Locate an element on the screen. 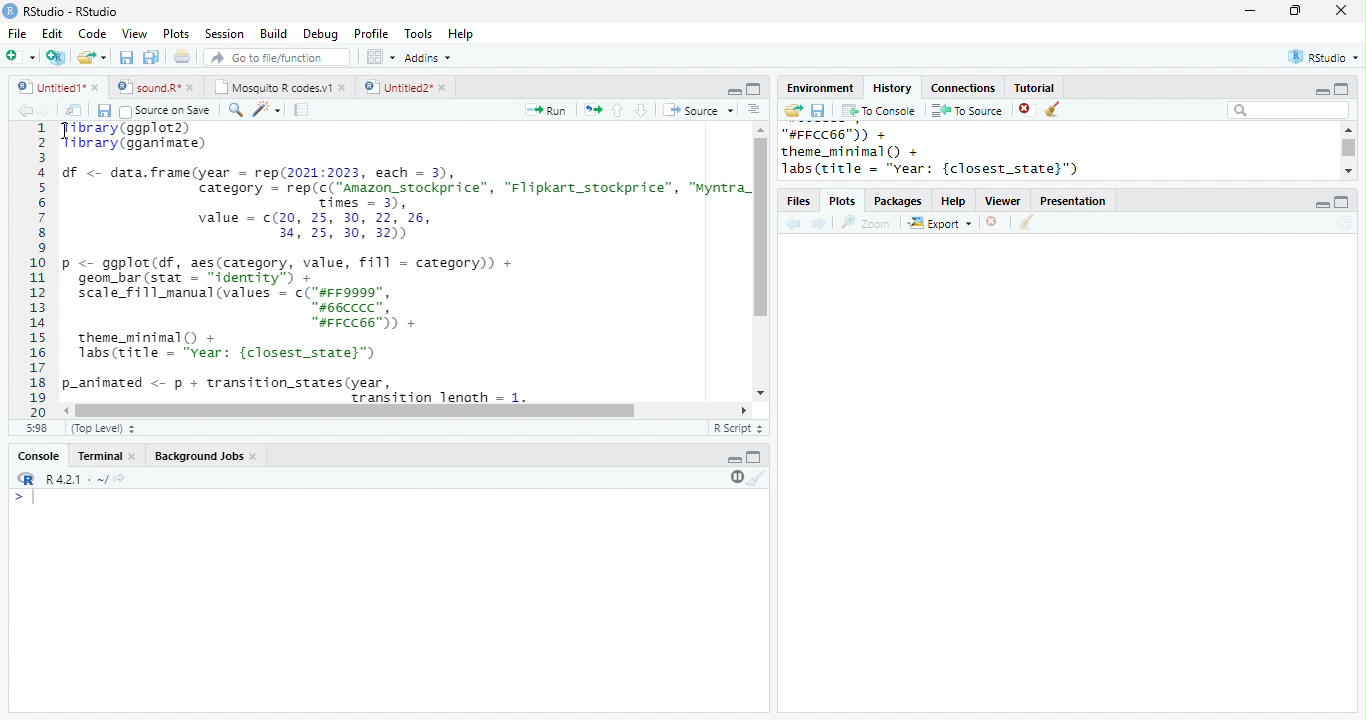 Image resolution: width=1366 pixels, height=720 pixels. maximize is located at coordinates (1342, 202).